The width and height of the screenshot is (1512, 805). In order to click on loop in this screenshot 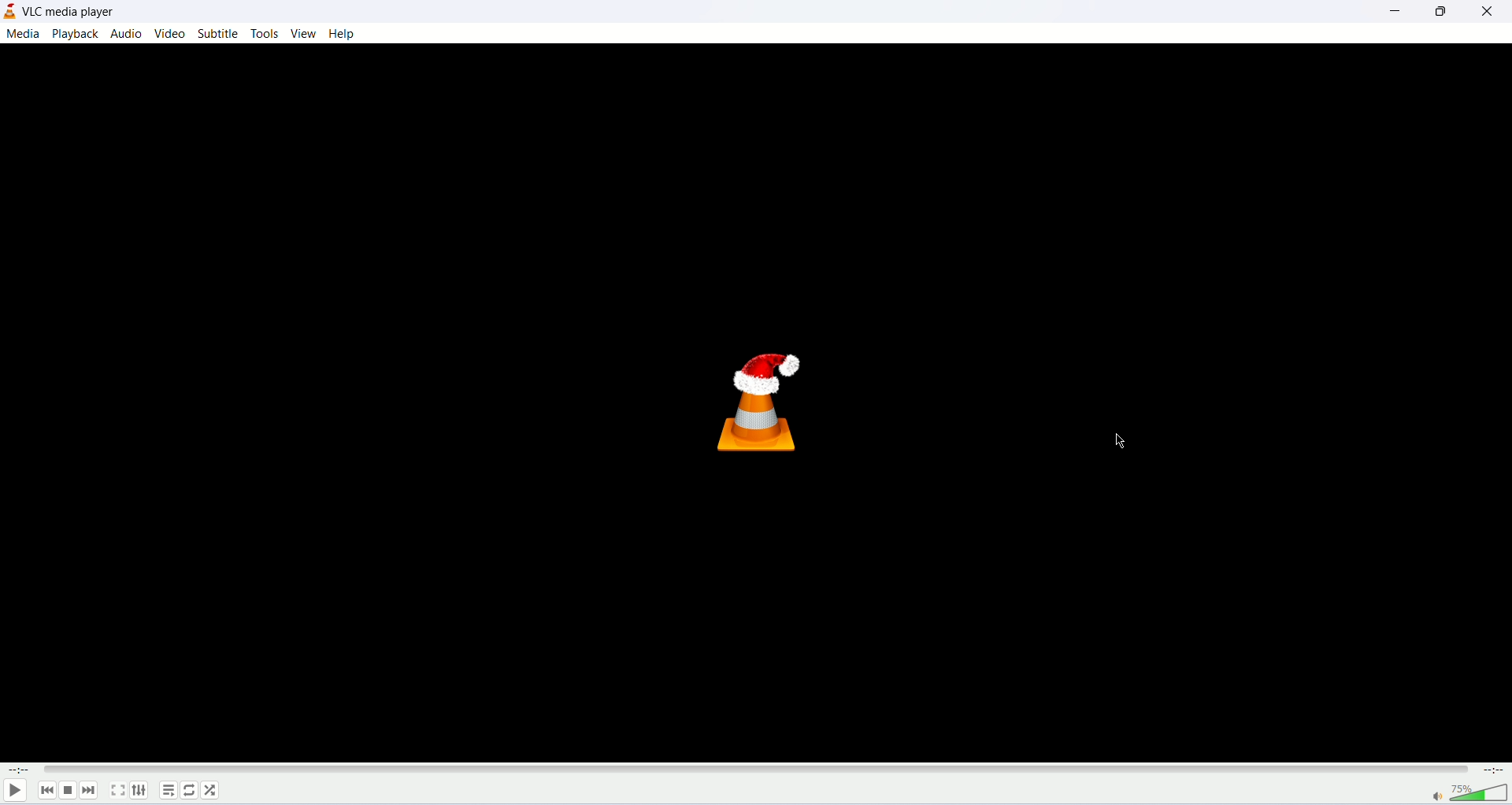, I will do `click(188, 790)`.